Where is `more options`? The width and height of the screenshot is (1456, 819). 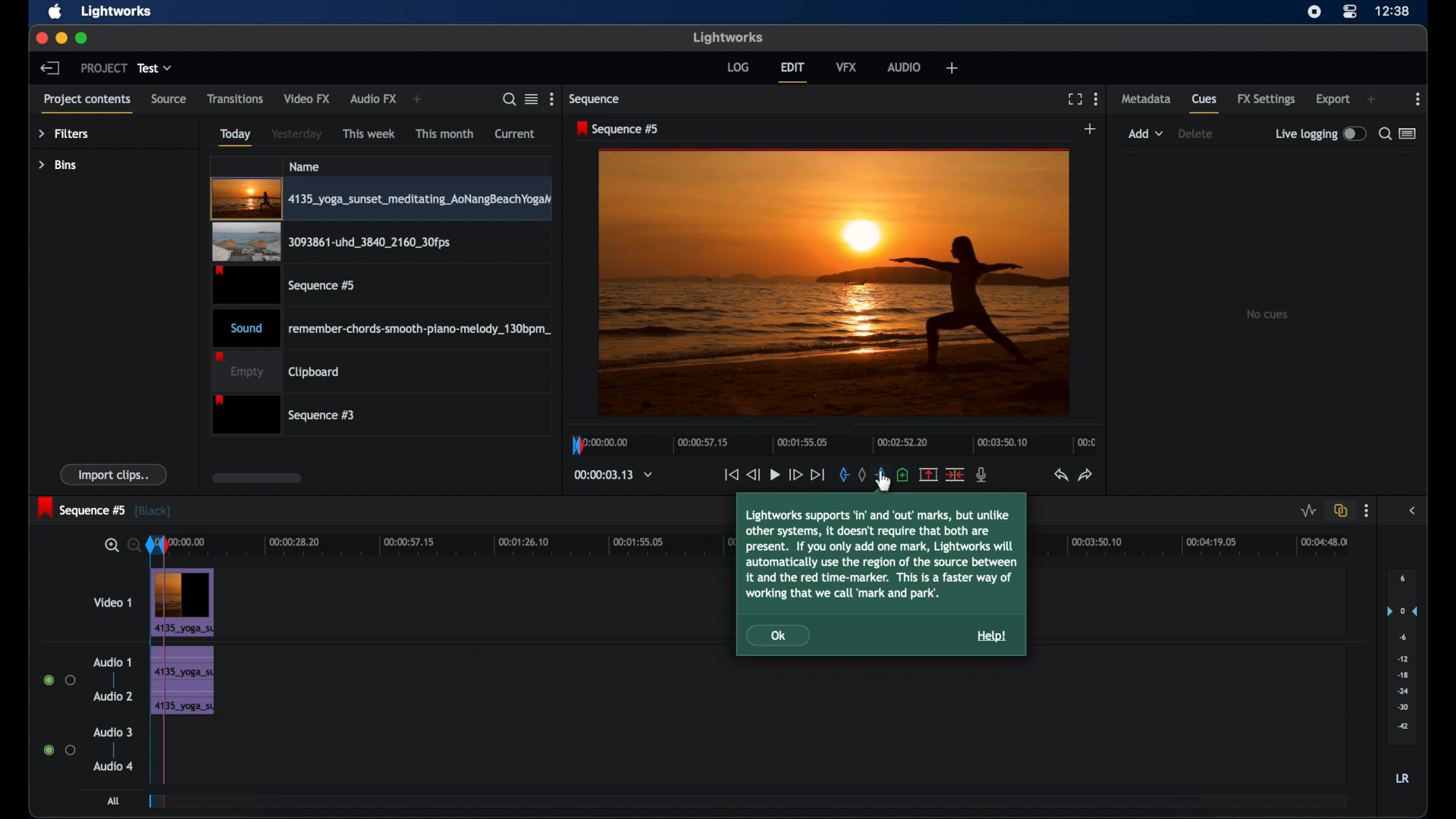
more options is located at coordinates (1097, 99).